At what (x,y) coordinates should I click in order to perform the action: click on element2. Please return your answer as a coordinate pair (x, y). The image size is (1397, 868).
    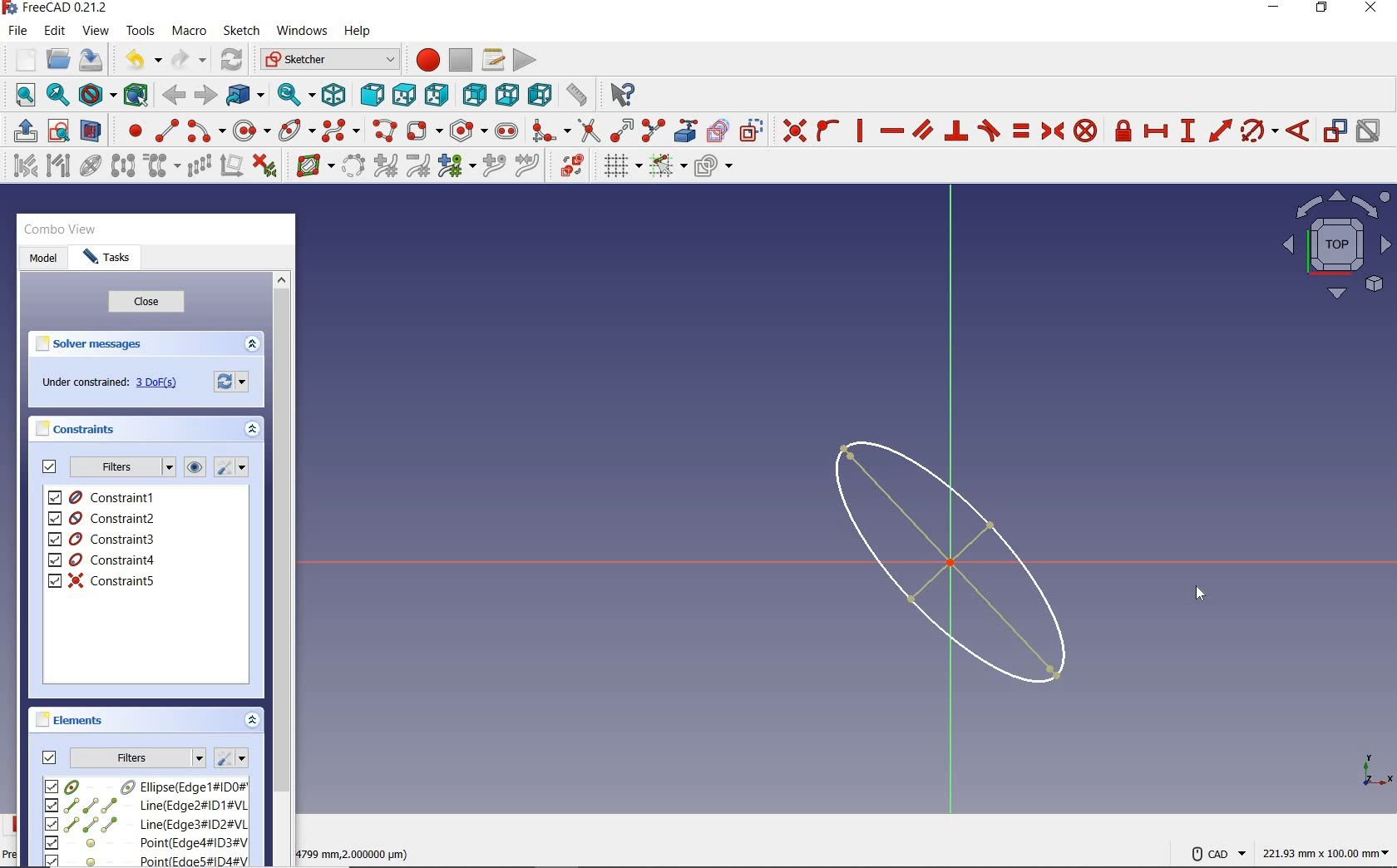
    Looking at the image, I should click on (146, 805).